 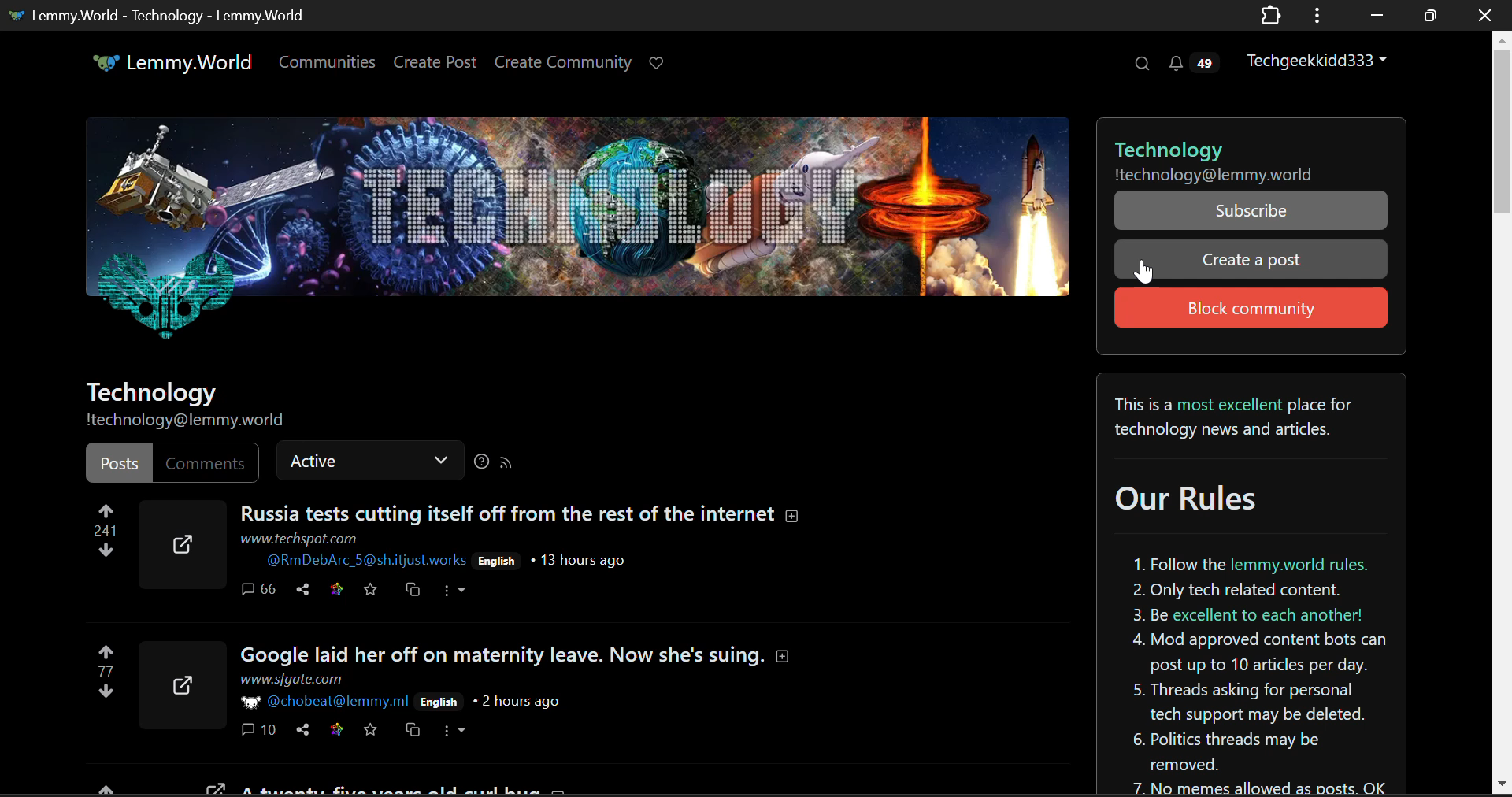 What do you see at coordinates (326, 703) in the screenshot?
I see `@chobeat@lemmy.nl` at bounding box center [326, 703].